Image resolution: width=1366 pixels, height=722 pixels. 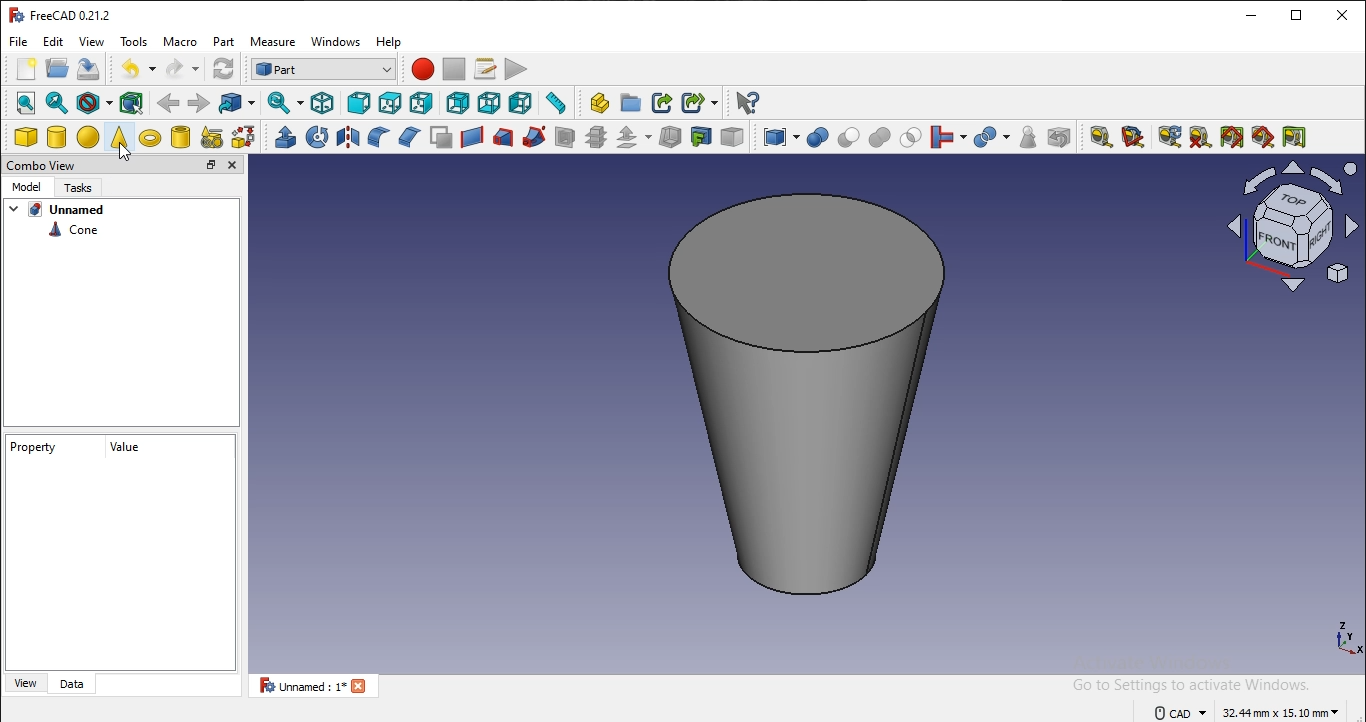 What do you see at coordinates (669, 138) in the screenshot?
I see `thickness` at bounding box center [669, 138].